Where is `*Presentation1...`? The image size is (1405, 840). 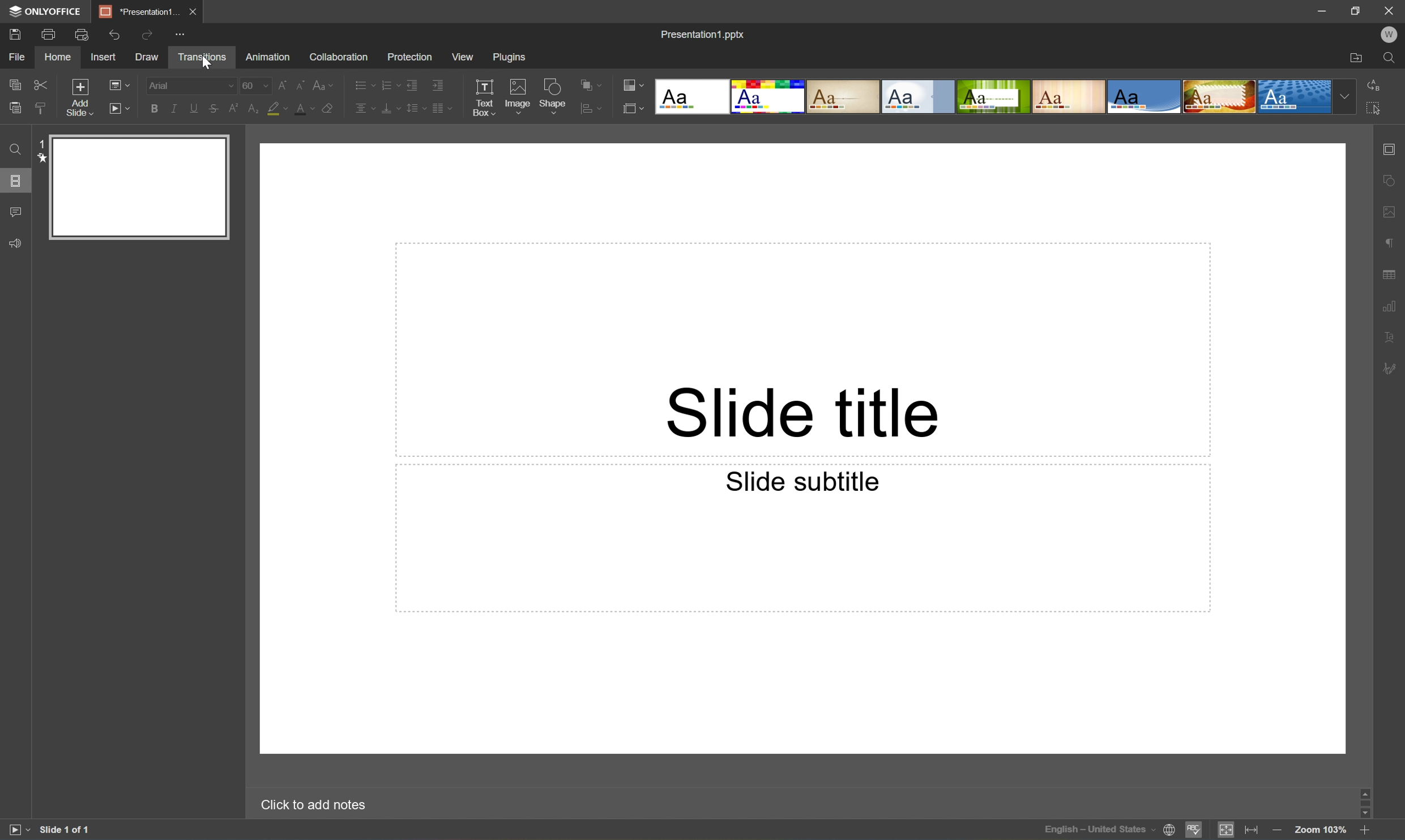
*Presentation1... is located at coordinates (138, 13).